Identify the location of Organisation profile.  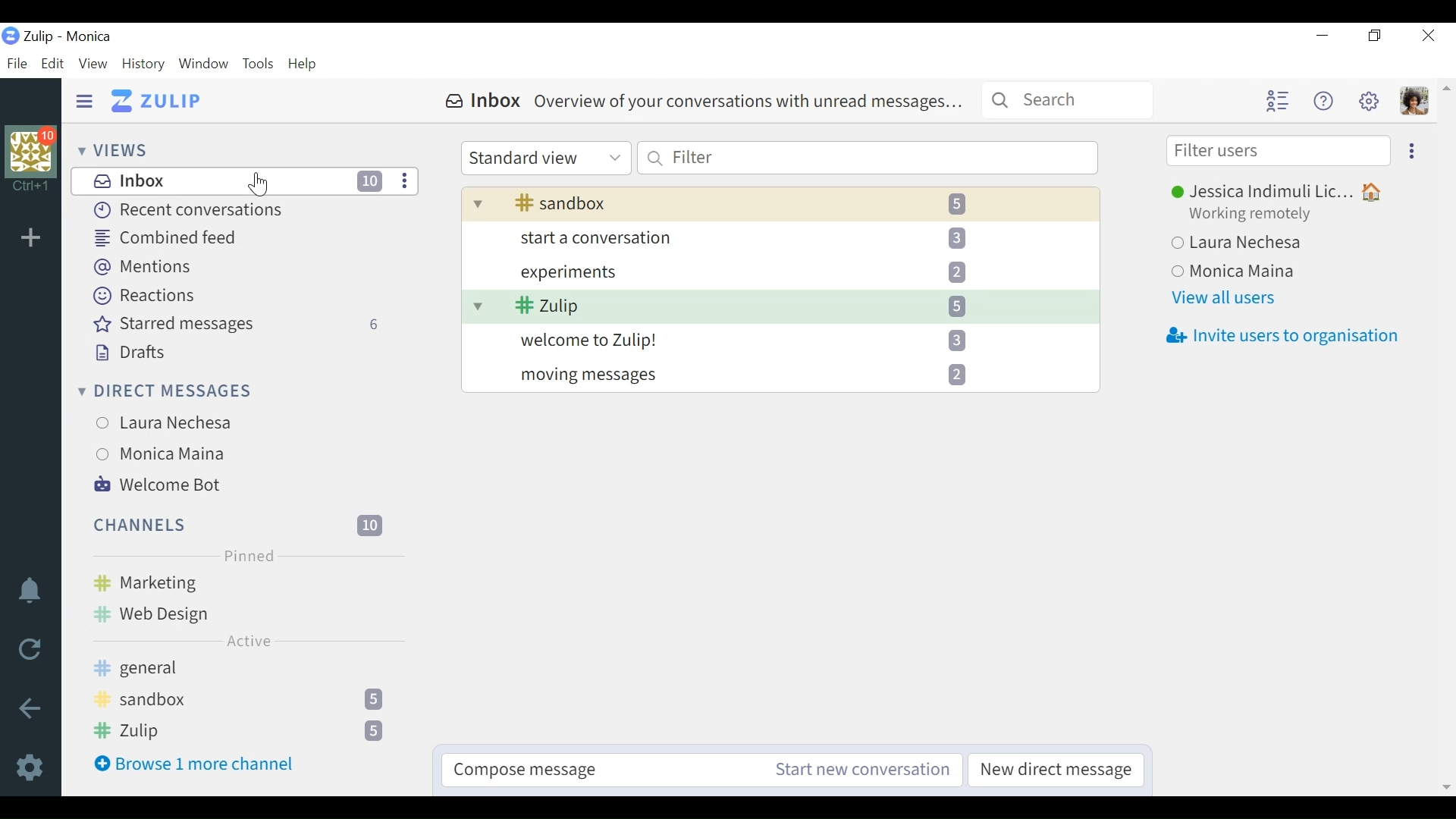
(34, 152).